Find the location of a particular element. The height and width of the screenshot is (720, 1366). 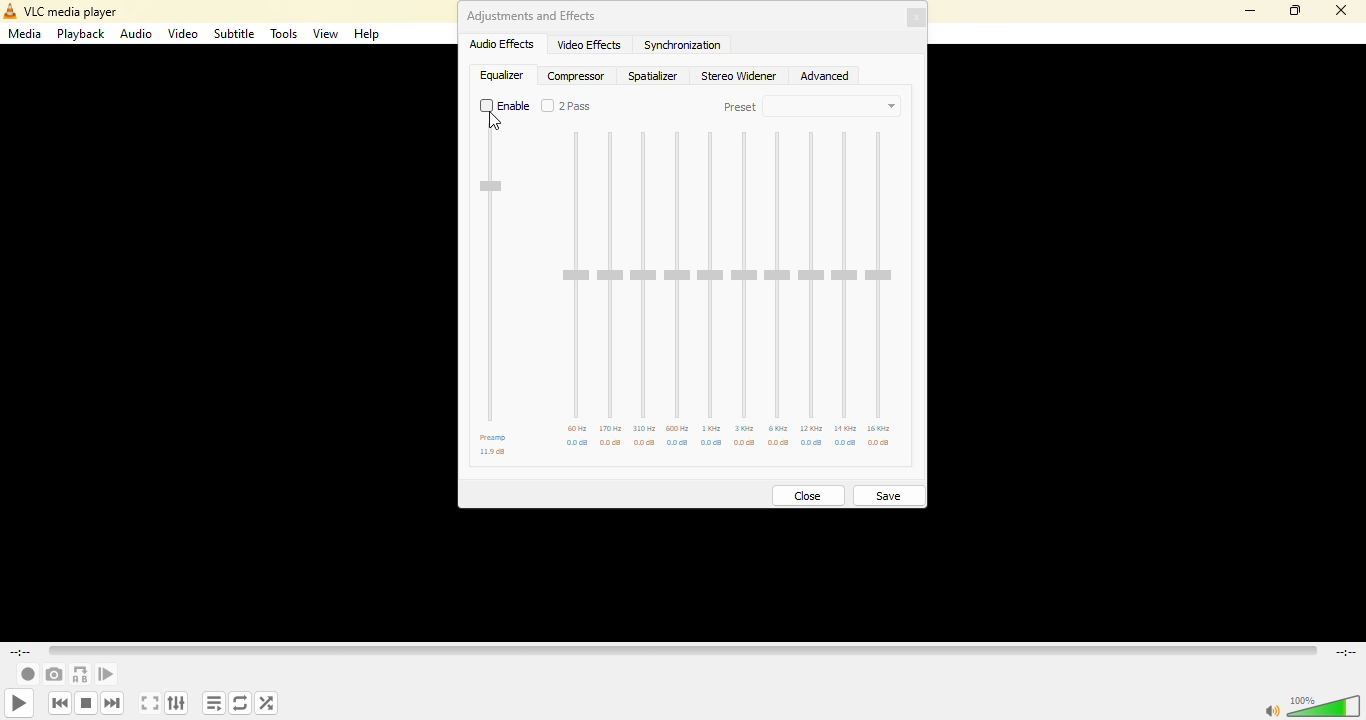

170 hz is located at coordinates (612, 428).